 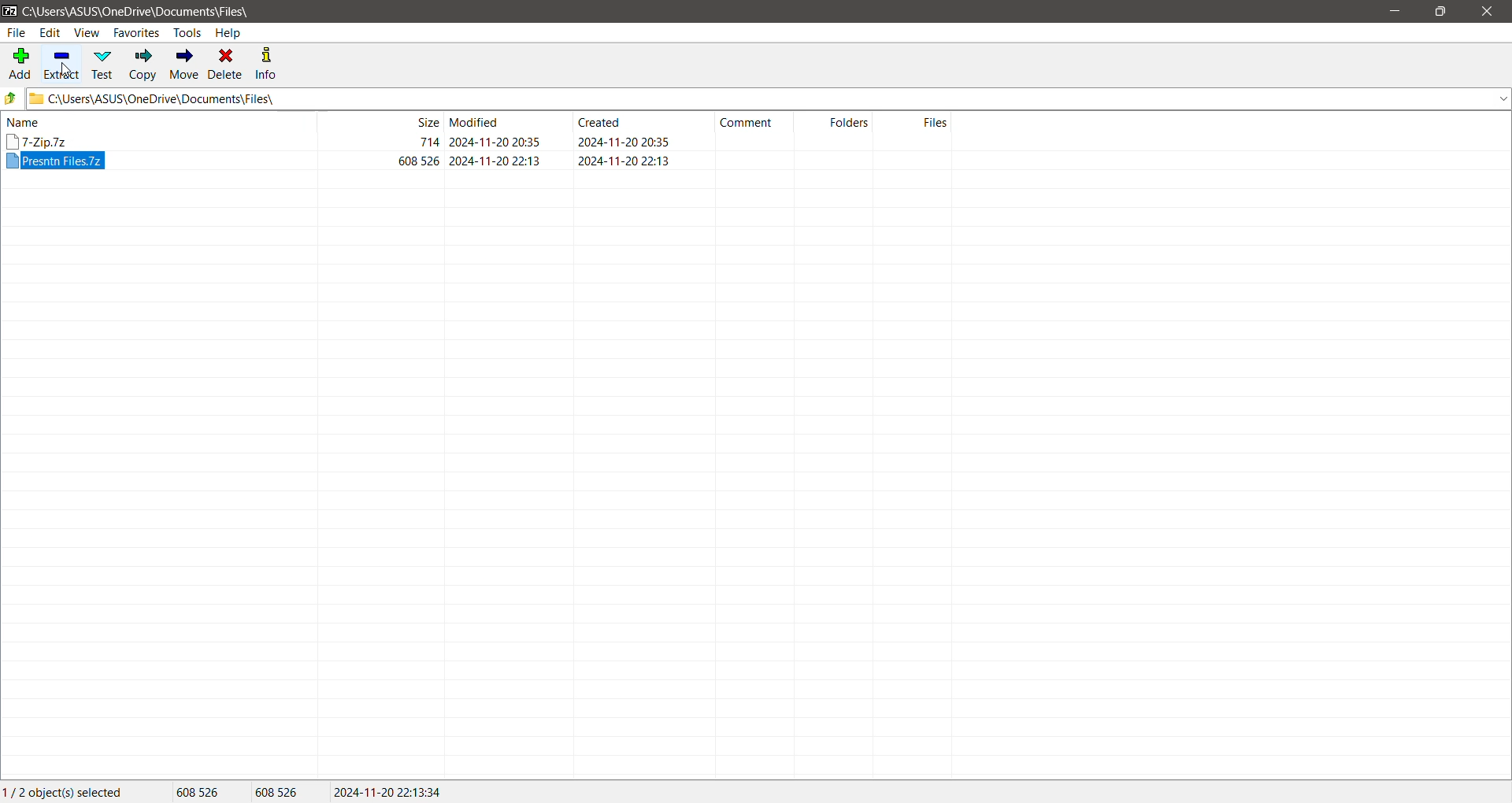 I want to click on folders, so click(x=849, y=121).